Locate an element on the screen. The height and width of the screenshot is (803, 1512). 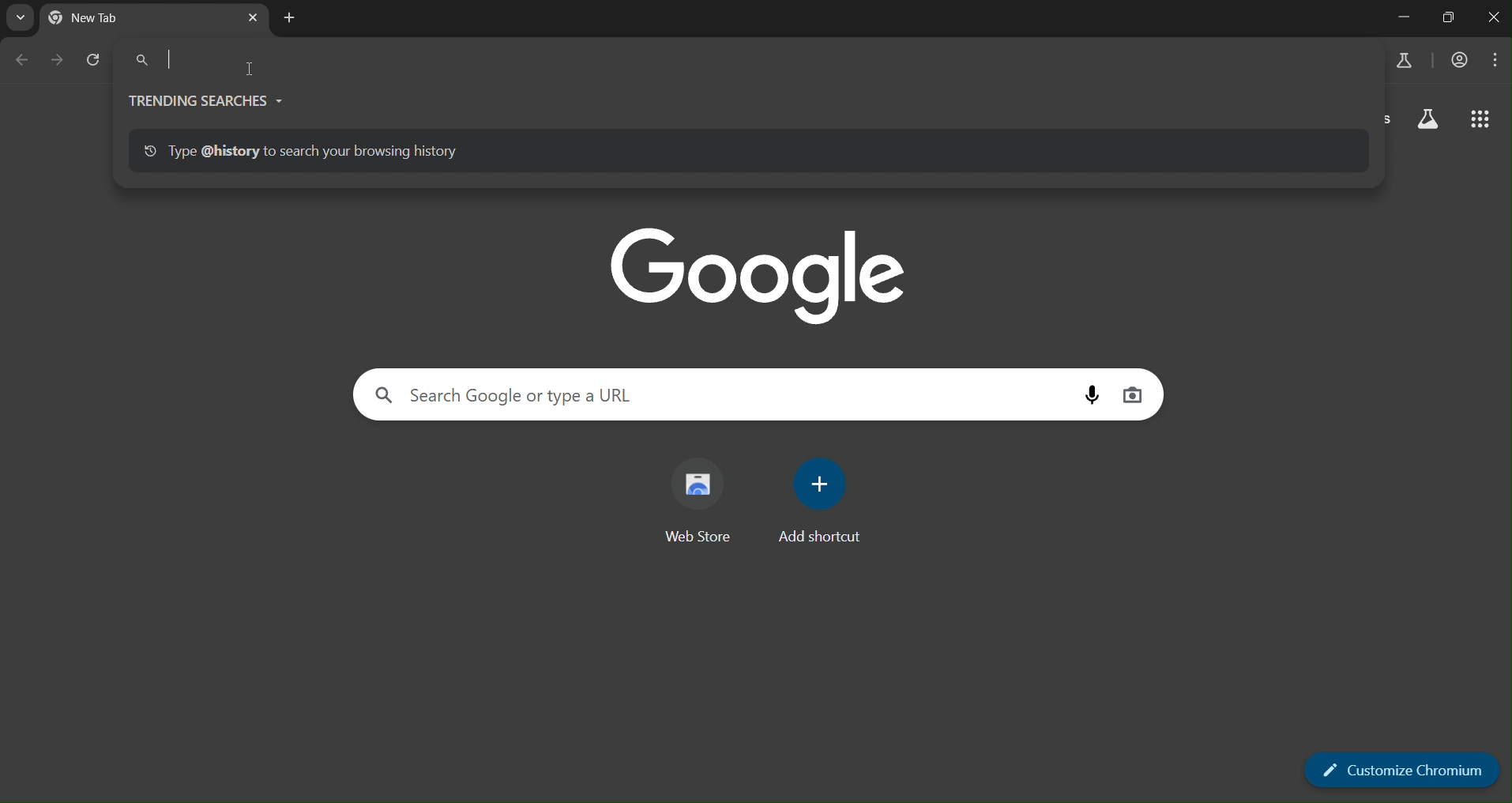
web store is located at coordinates (698, 499).